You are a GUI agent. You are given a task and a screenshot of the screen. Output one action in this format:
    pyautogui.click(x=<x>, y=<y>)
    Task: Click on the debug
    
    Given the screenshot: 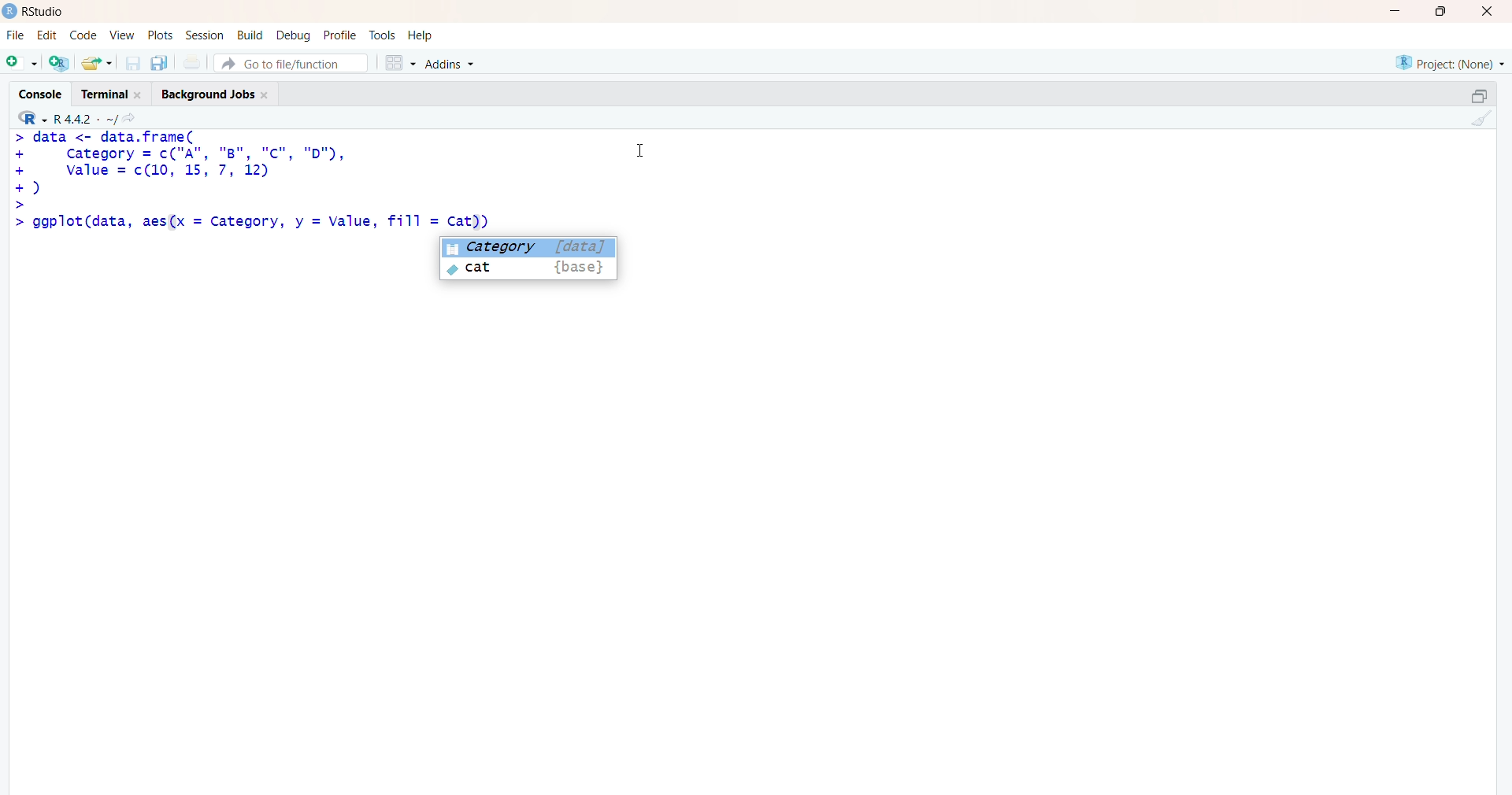 What is the action you would take?
    pyautogui.click(x=294, y=35)
    